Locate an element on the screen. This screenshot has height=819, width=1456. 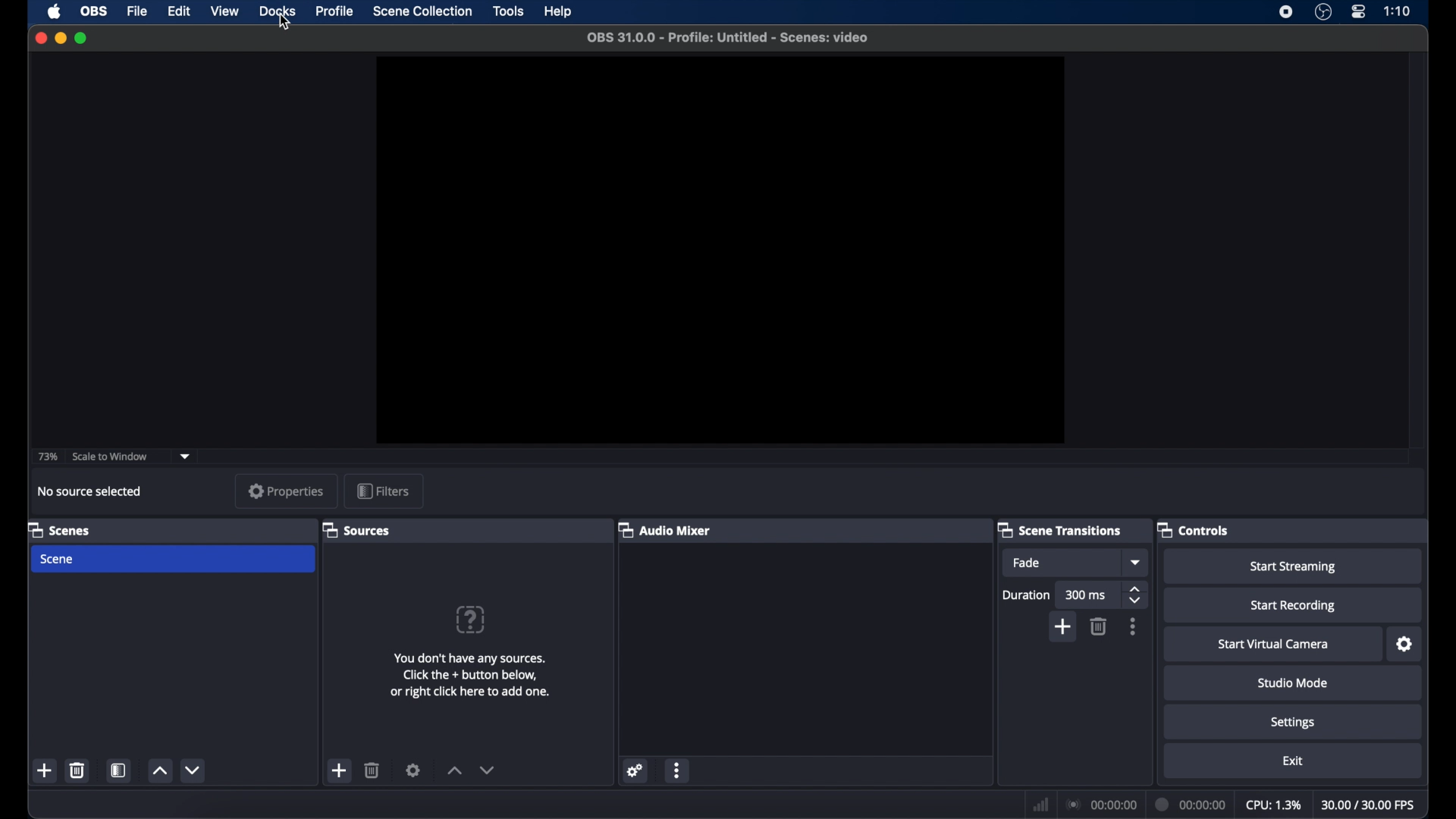
dropdown is located at coordinates (1137, 563).